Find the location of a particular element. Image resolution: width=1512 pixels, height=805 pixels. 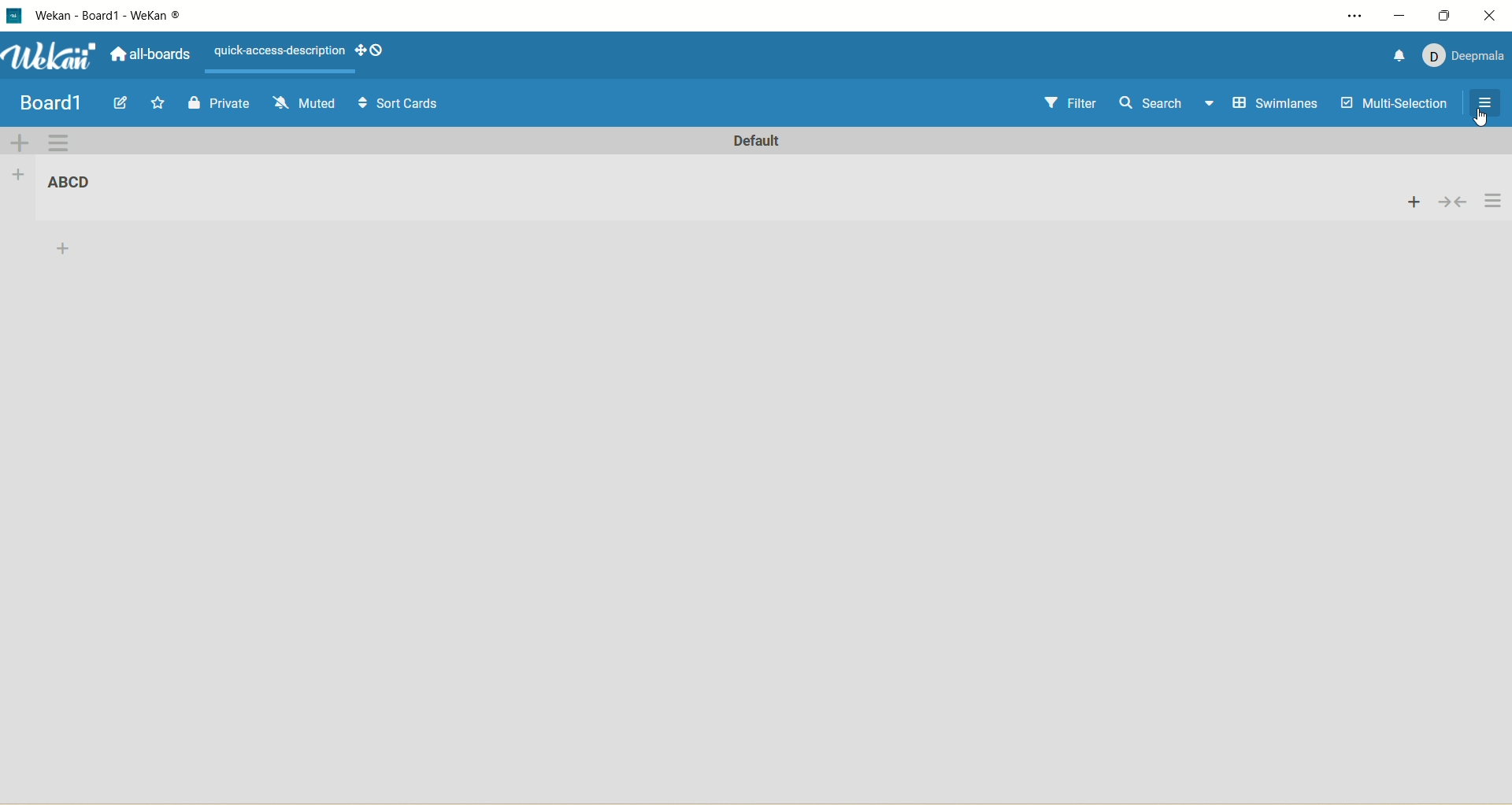

title is located at coordinates (76, 184).